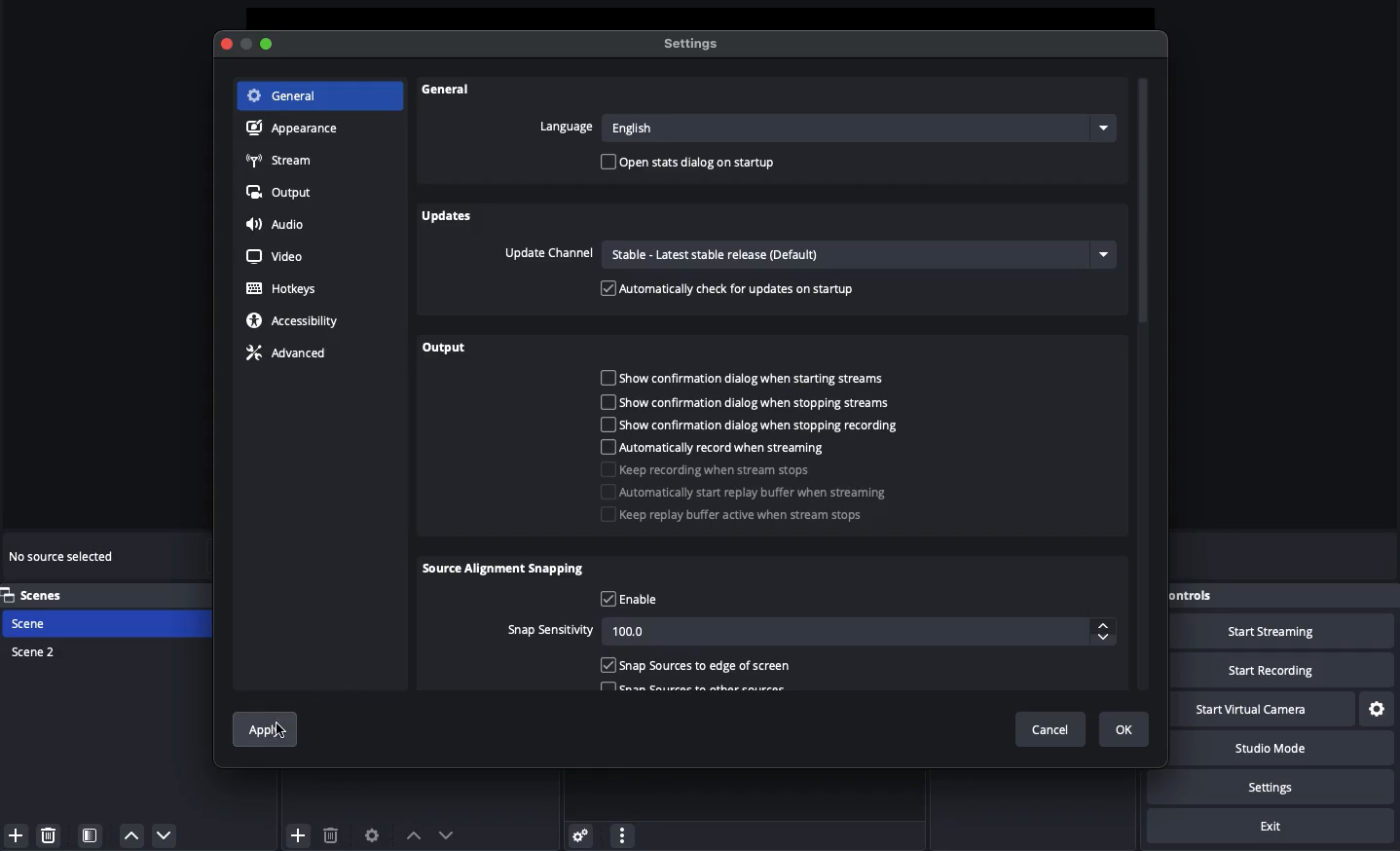 This screenshot has height=851, width=1400. What do you see at coordinates (68, 556) in the screenshot?
I see `No sources selected` at bounding box center [68, 556].